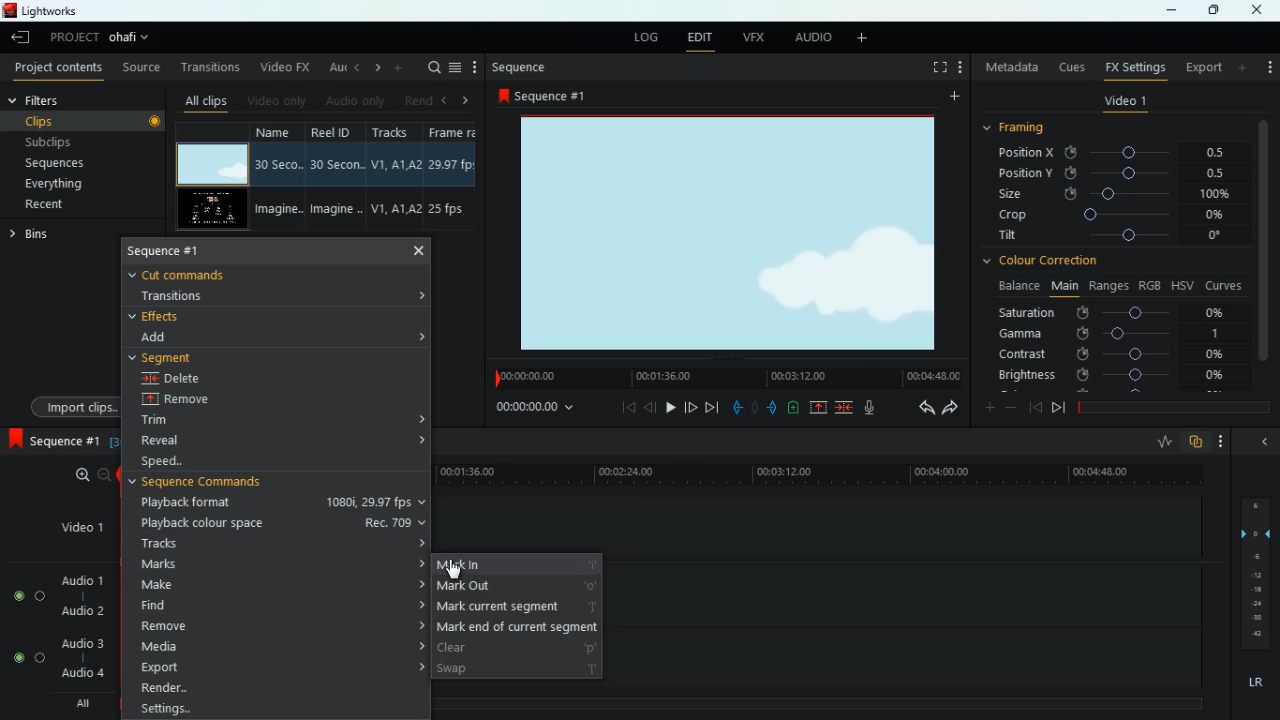 The width and height of the screenshot is (1280, 720). What do you see at coordinates (395, 161) in the screenshot?
I see `V1, A1, A2` at bounding box center [395, 161].